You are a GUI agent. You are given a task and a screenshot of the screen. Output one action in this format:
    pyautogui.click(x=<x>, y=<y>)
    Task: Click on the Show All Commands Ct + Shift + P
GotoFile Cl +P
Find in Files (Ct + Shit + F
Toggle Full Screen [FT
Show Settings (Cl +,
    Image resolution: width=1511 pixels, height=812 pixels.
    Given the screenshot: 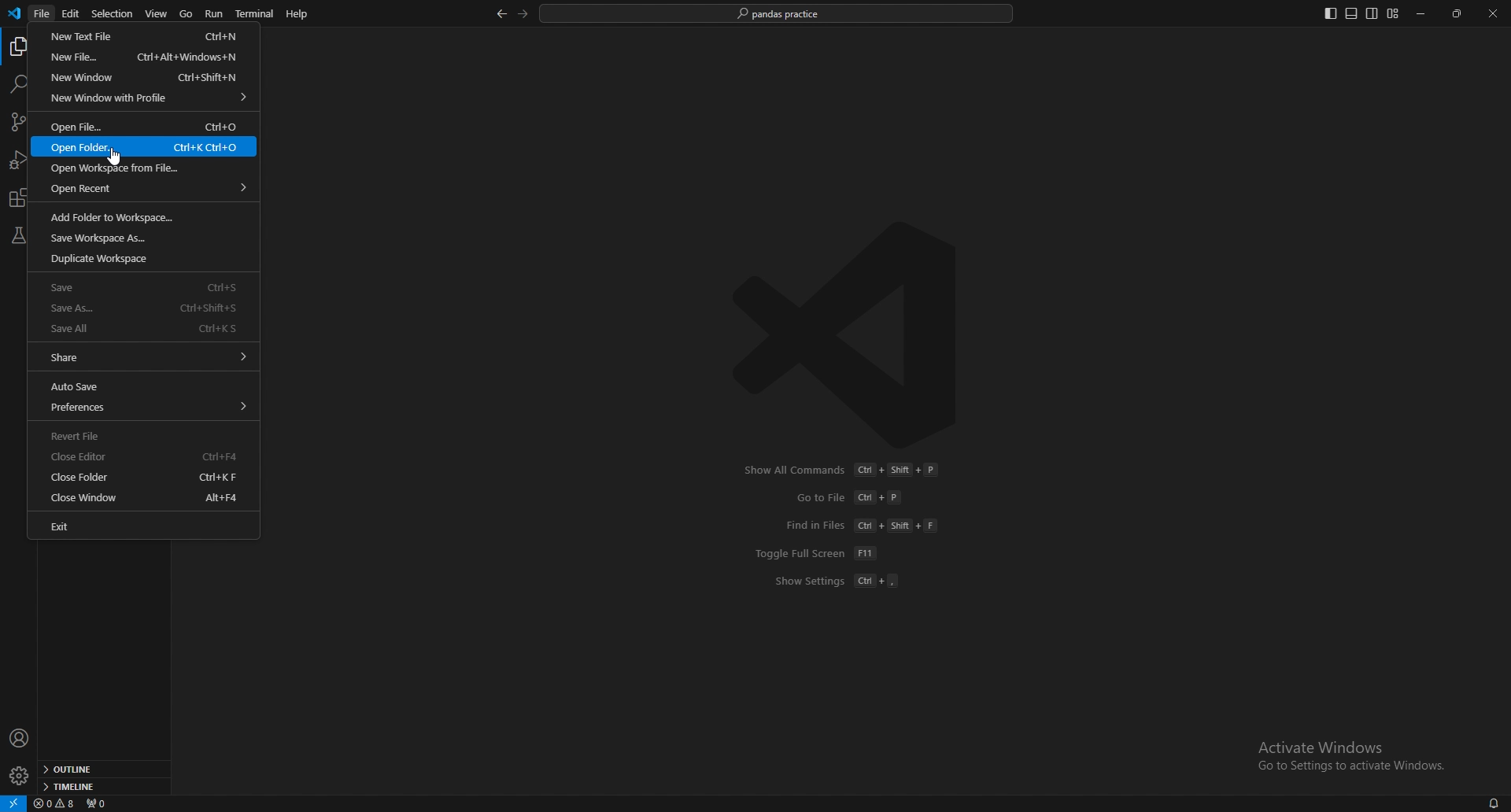 What is the action you would take?
    pyautogui.click(x=844, y=536)
    